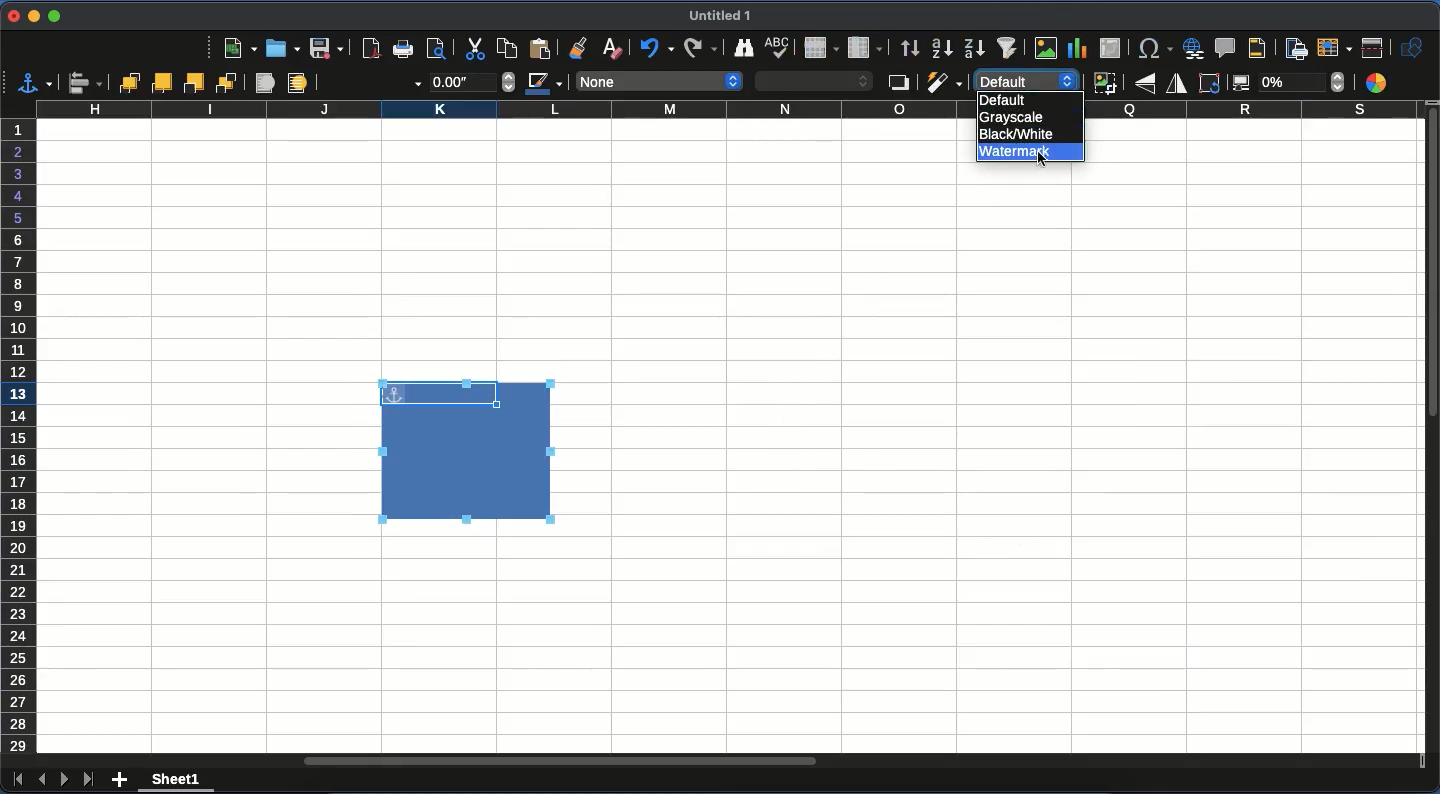 Image resolution: width=1440 pixels, height=794 pixels. I want to click on sort, so click(909, 47).